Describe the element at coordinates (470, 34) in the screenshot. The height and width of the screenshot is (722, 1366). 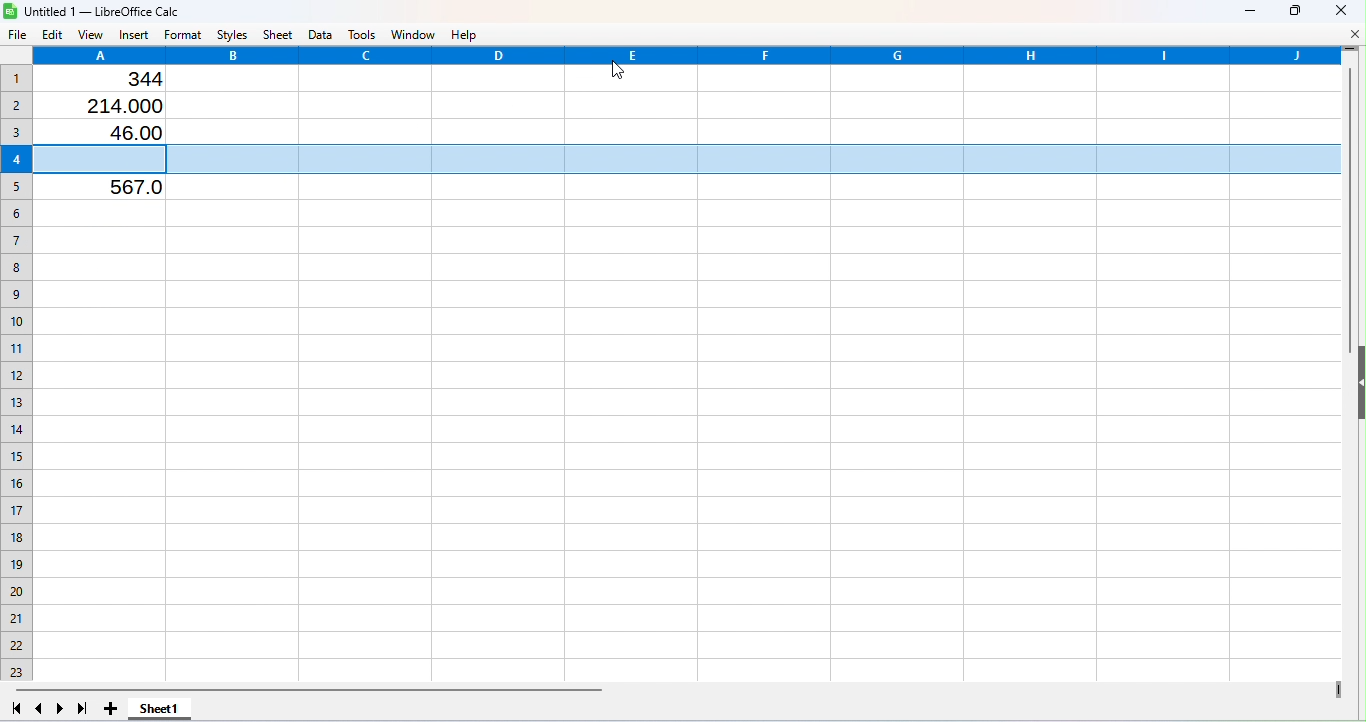
I see `Help` at that location.